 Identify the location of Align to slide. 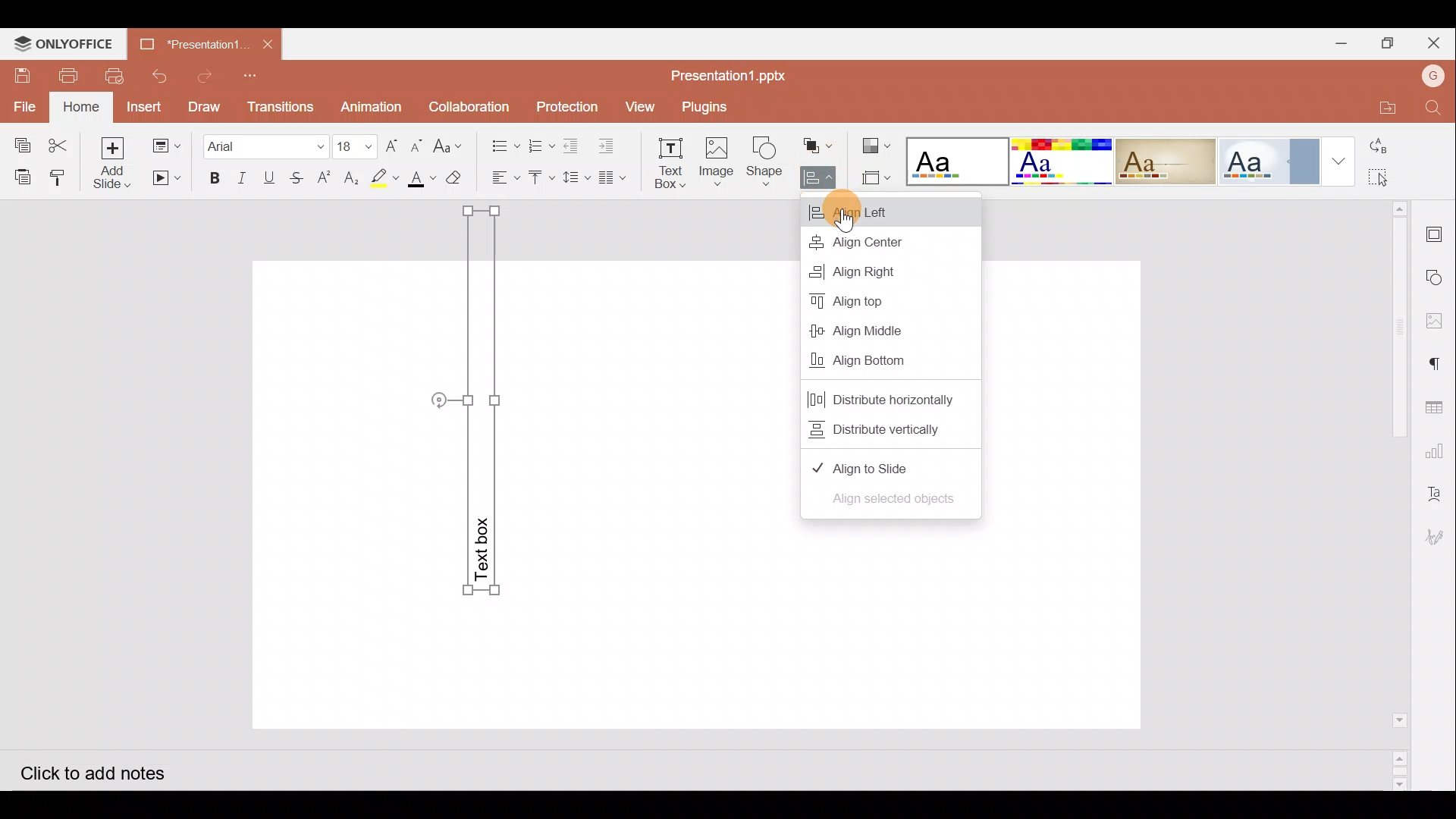
(883, 461).